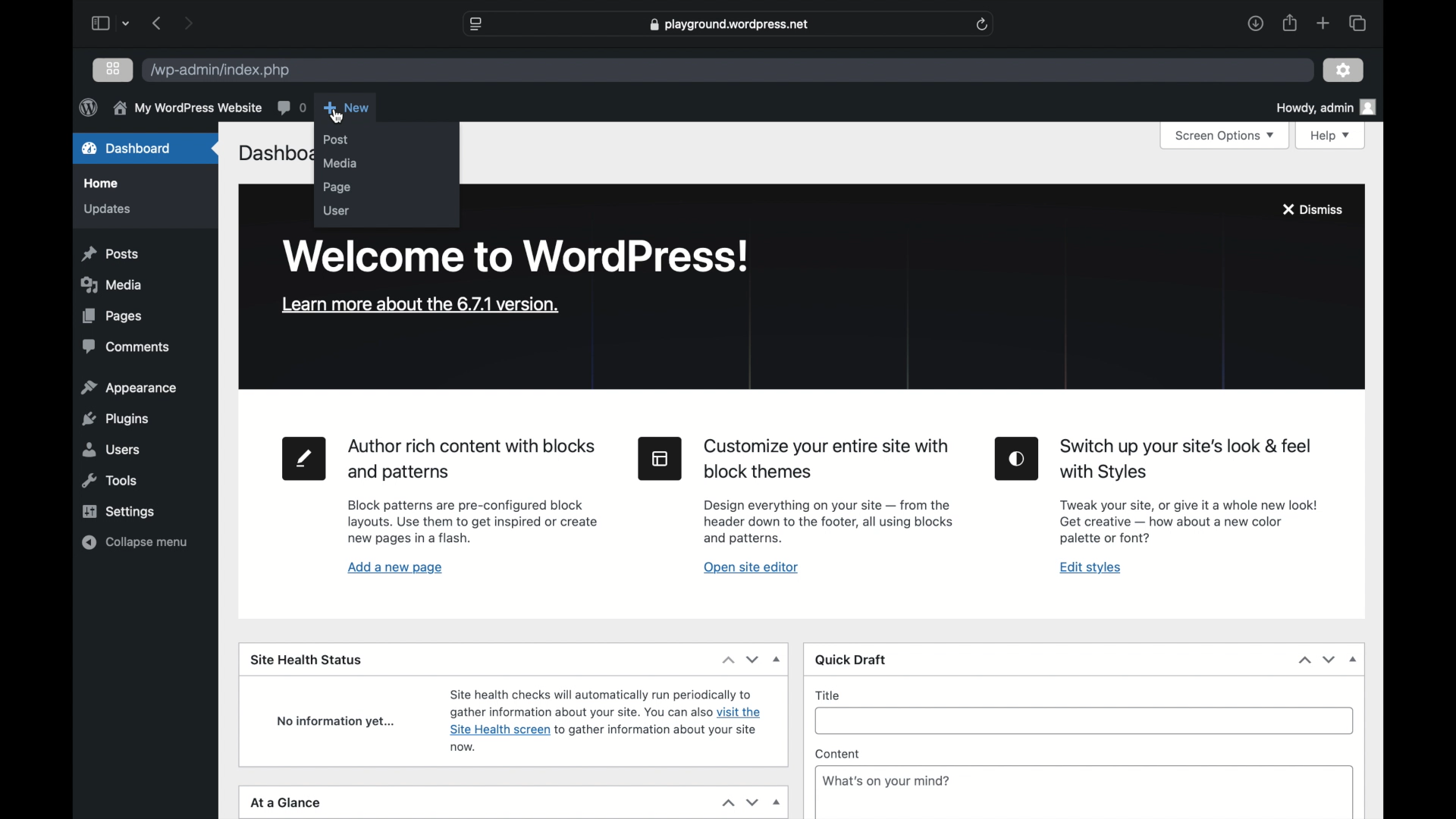 The width and height of the screenshot is (1456, 819). What do you see at coordinates (111, 315) in the screenshot?
I see `pages` at bounding box center [111, 315].